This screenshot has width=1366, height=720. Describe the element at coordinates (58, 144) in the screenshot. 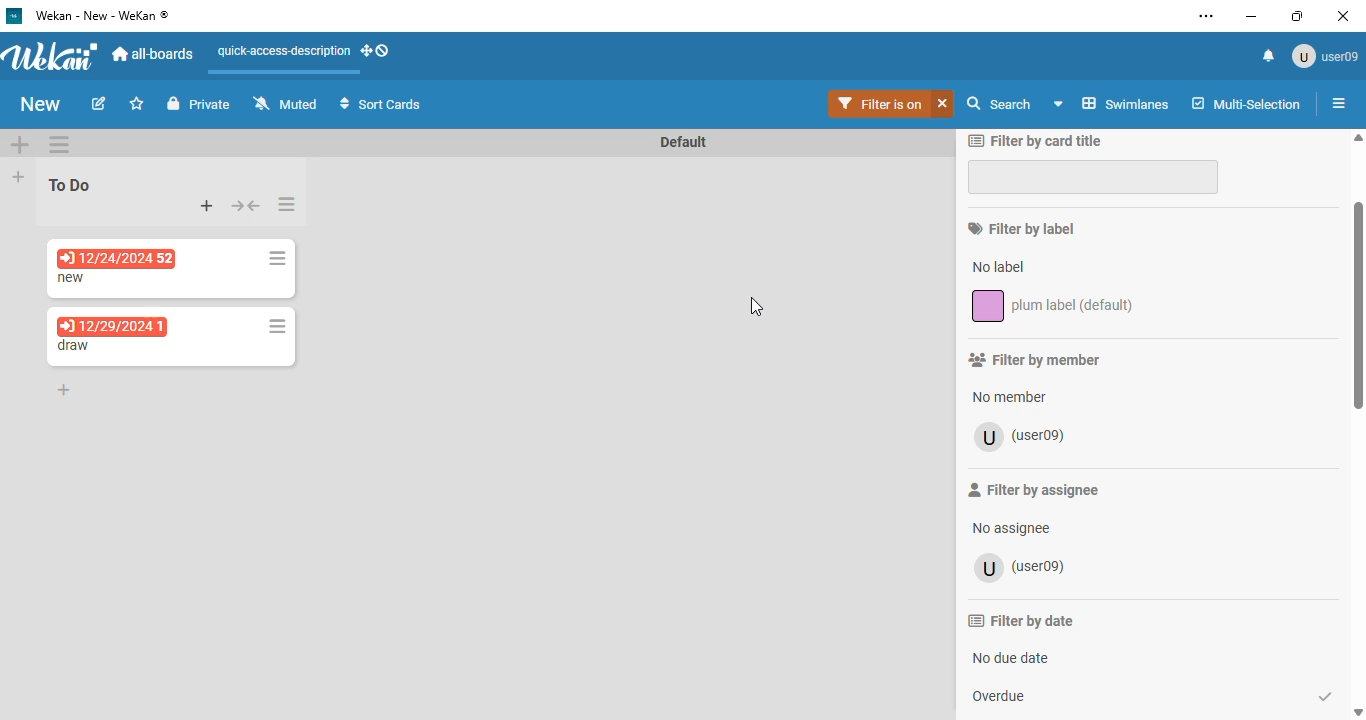

I see `swimlane actions` at that location.